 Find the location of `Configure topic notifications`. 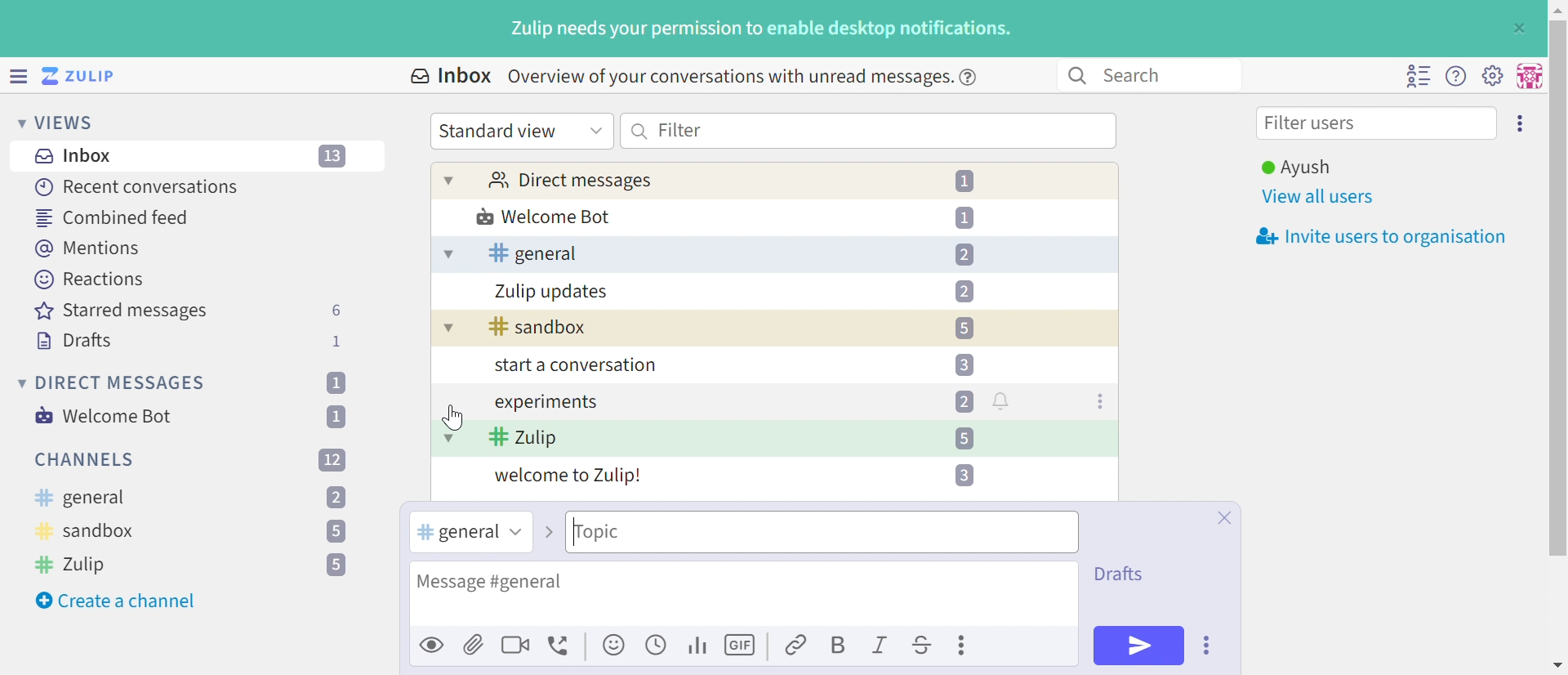

Configure topic notifications is located at coordinates (1004, 400).